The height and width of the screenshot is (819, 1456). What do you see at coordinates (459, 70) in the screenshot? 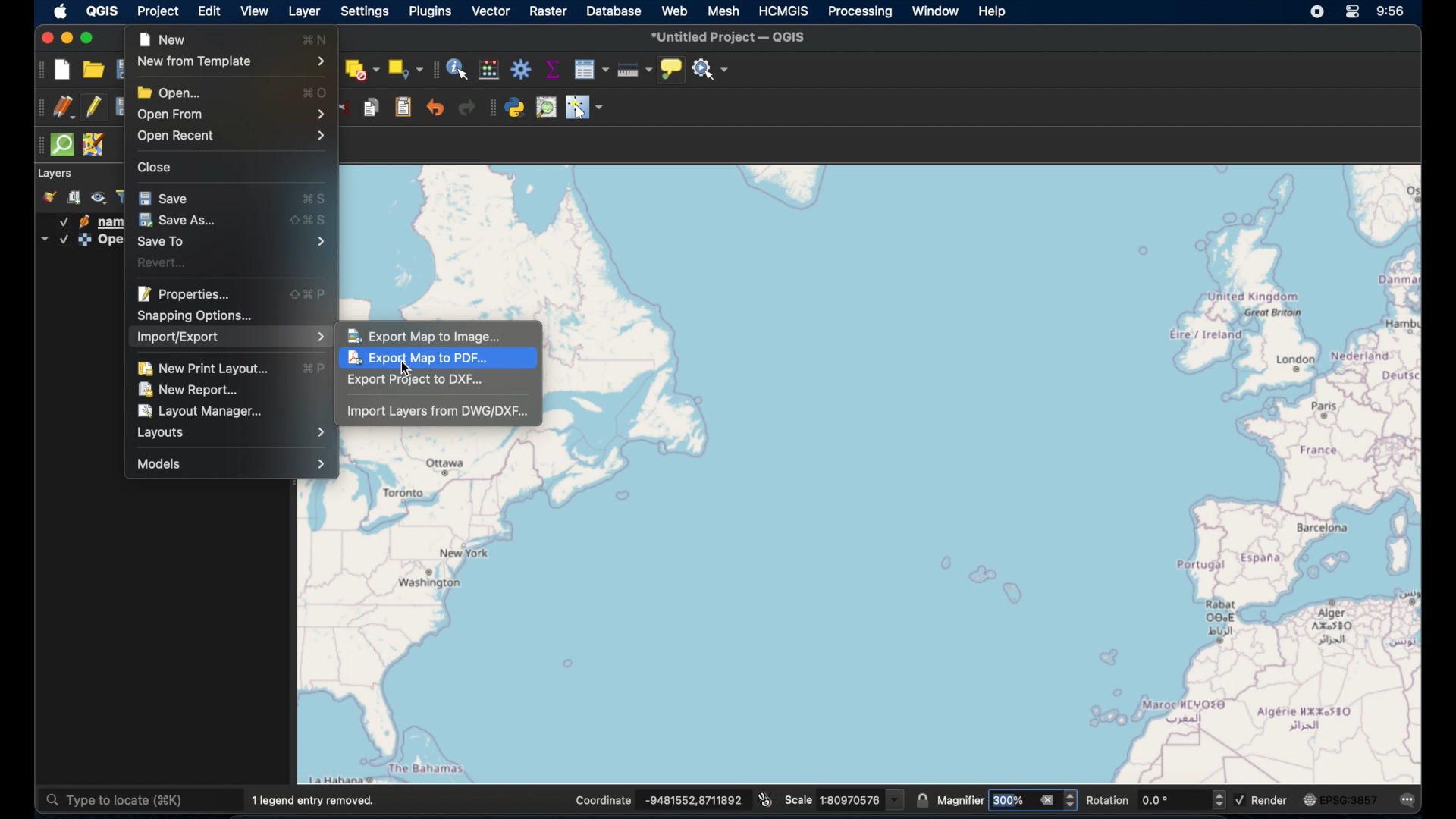
I see `identify features` at bounding box center [459, 70].